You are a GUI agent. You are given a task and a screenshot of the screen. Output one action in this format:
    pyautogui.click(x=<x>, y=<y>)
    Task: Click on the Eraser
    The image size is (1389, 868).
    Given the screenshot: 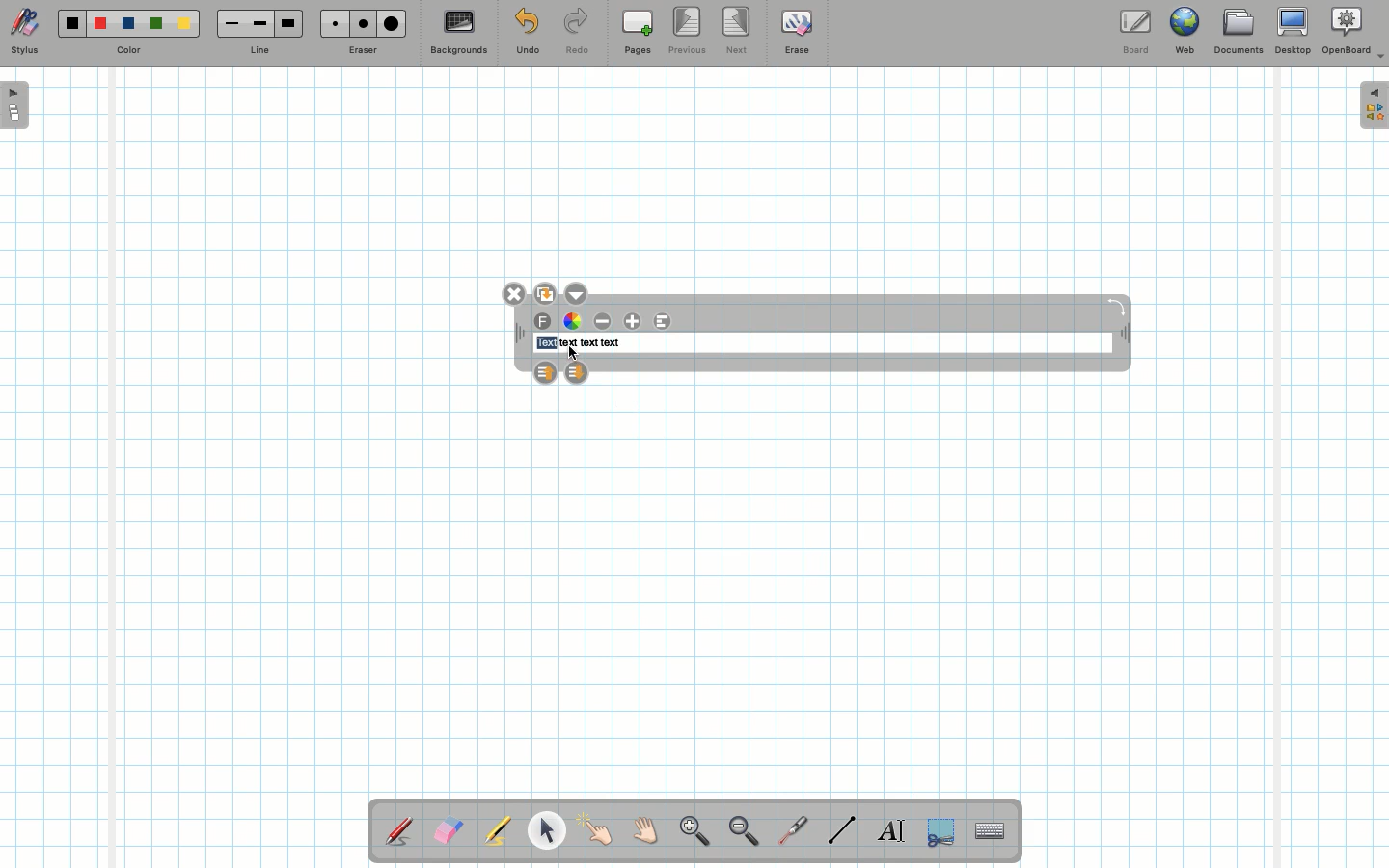 What is the action you would take?
    pyautogui.click(x=362, y=52)
    